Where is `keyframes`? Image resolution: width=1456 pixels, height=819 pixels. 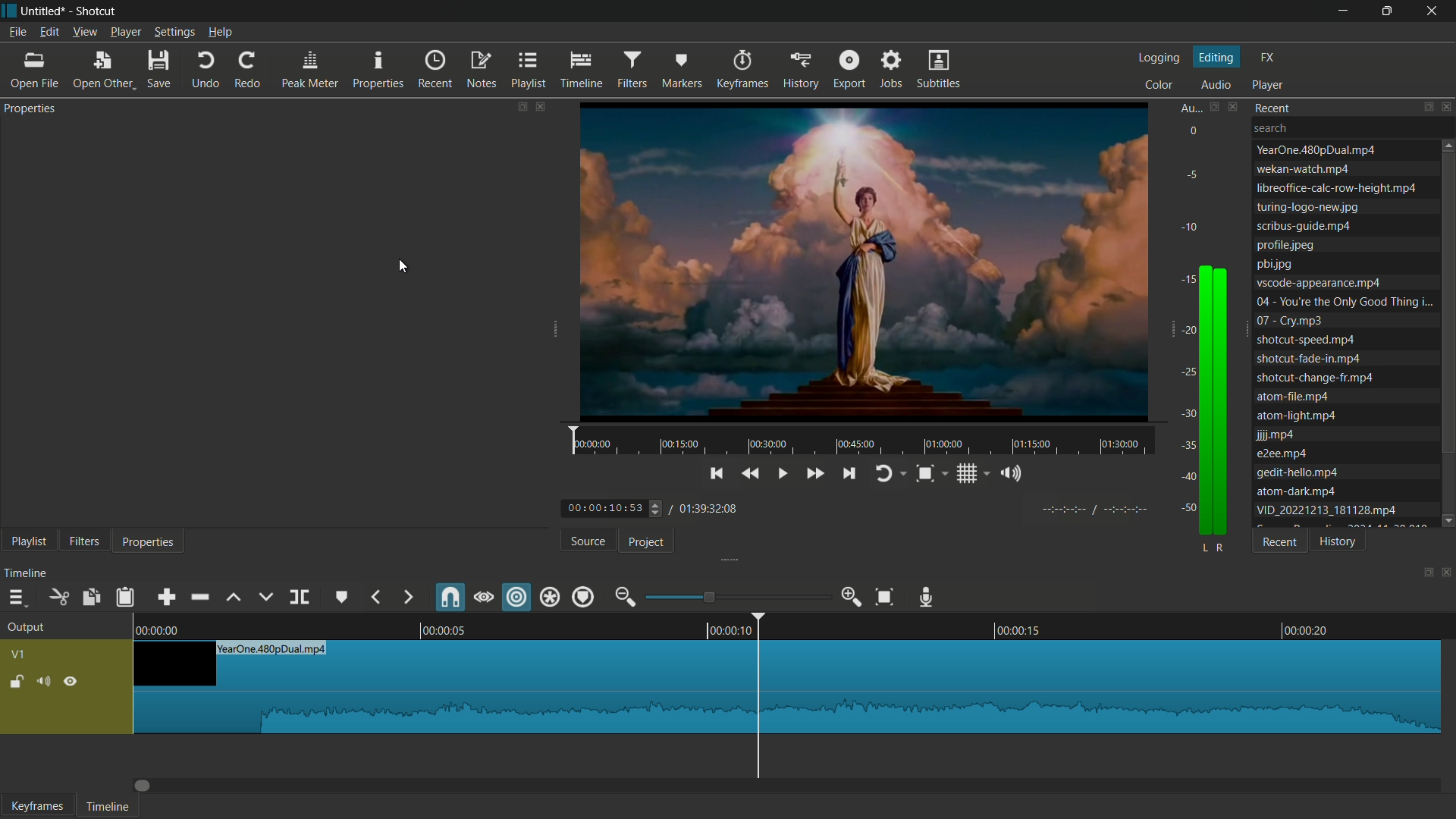 keyframes is located at coordinates (745, 70).